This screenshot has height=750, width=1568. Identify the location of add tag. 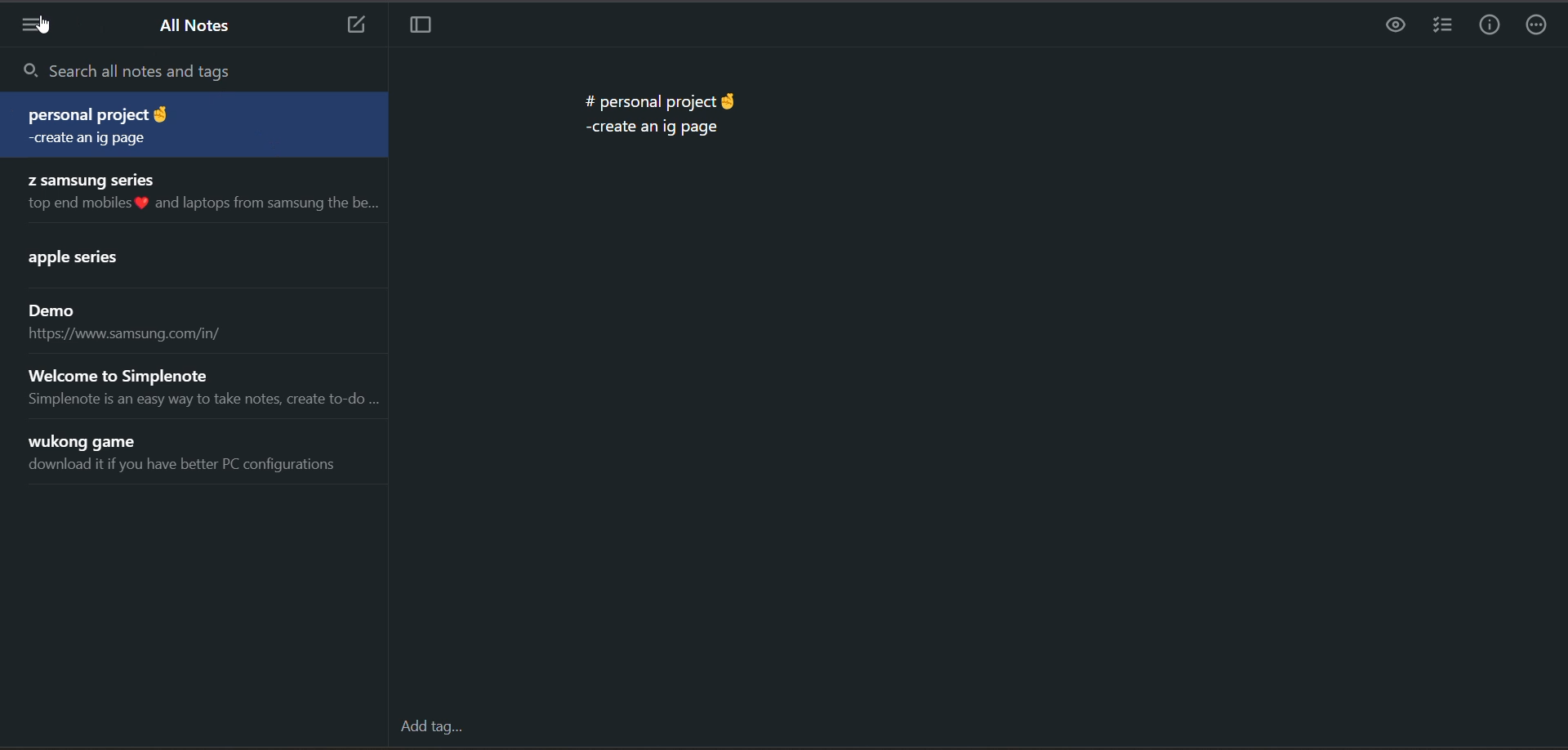
(434, 730).